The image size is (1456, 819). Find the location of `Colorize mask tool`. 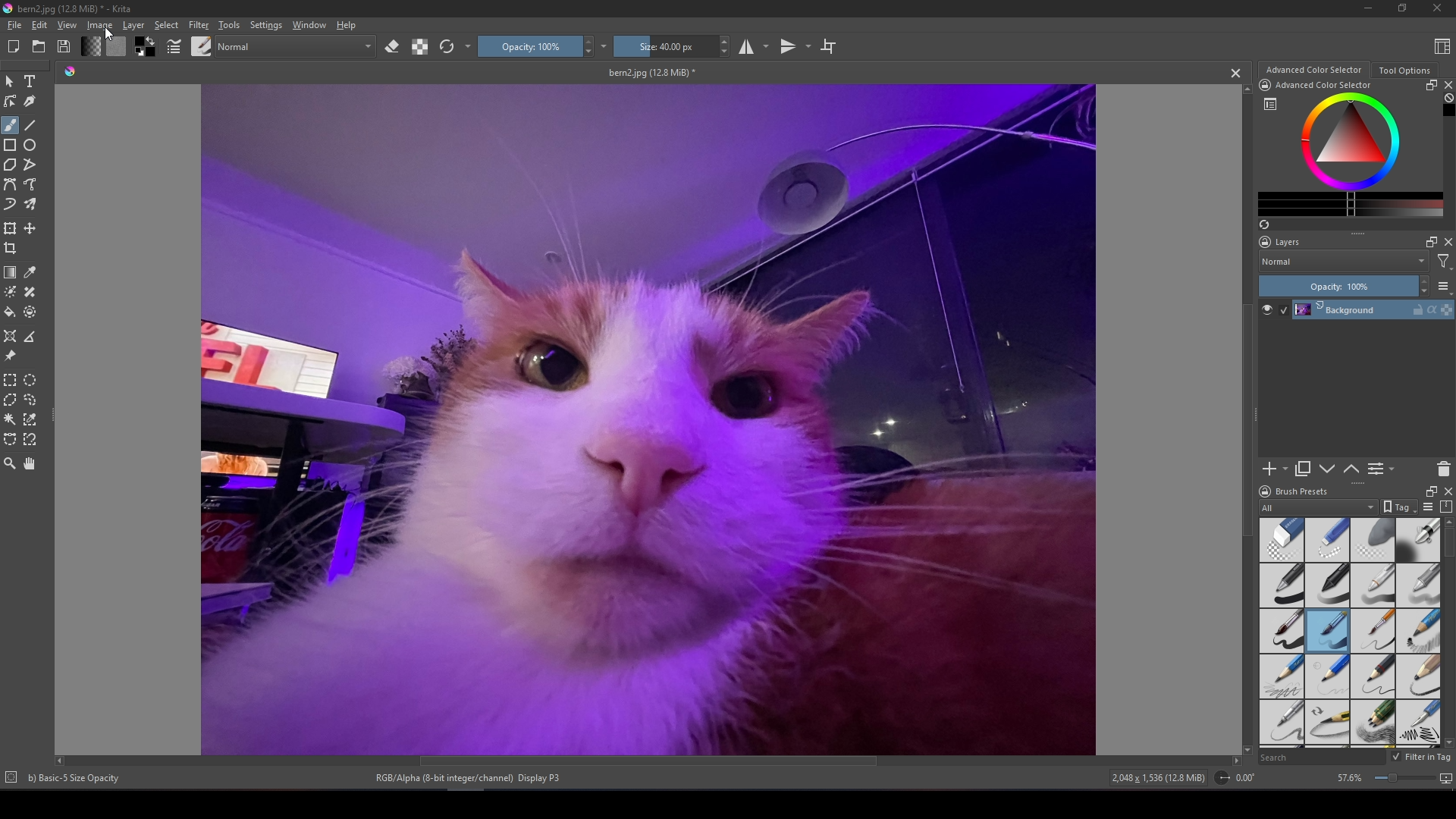

Colorize mask tool is located at coordinates (11, 292).